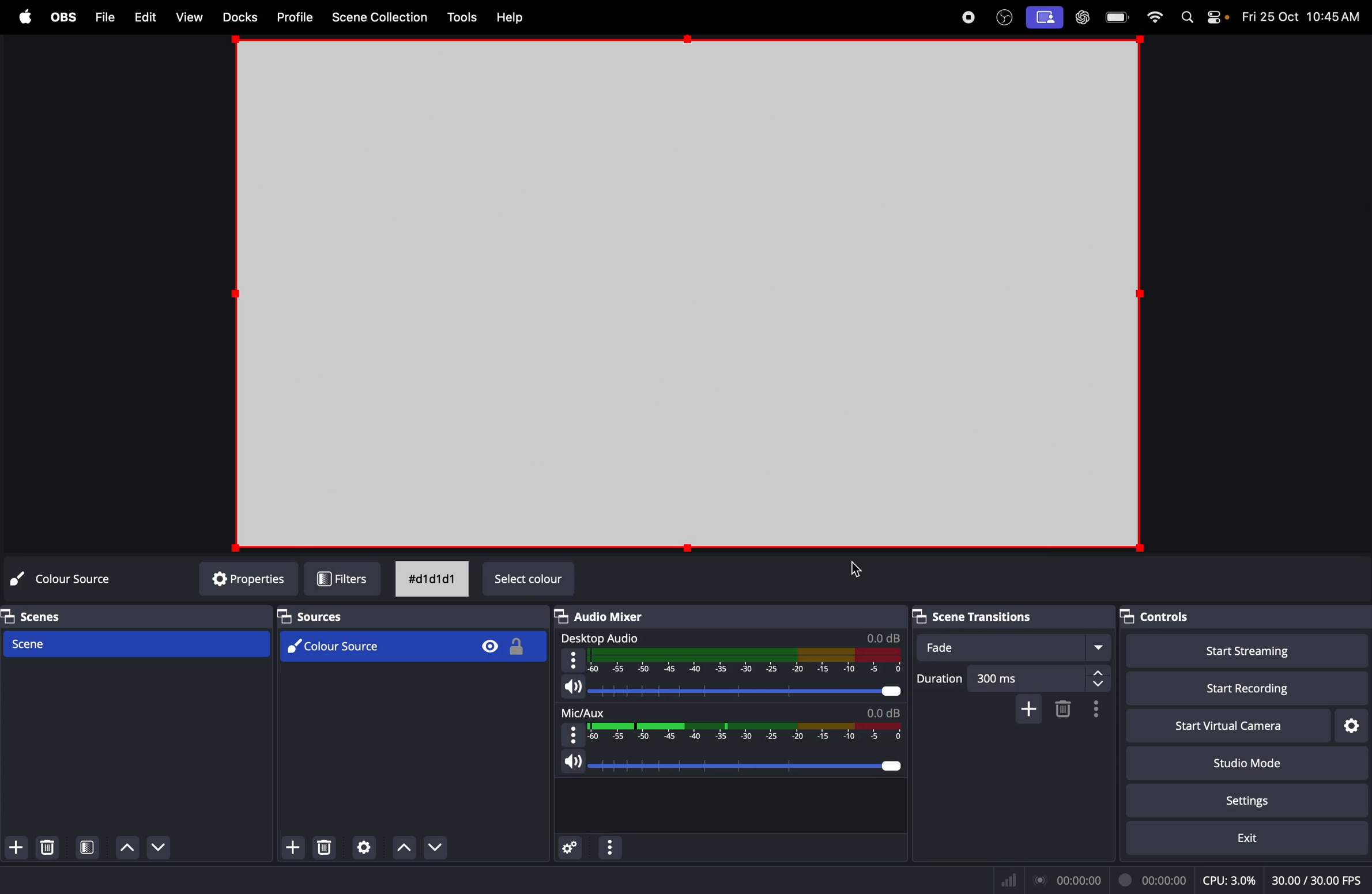 The height and width of the screenshot is (894, 1372). Describe the element at coordinates (342, 579) in the screenshot. I see `filters` at that location.